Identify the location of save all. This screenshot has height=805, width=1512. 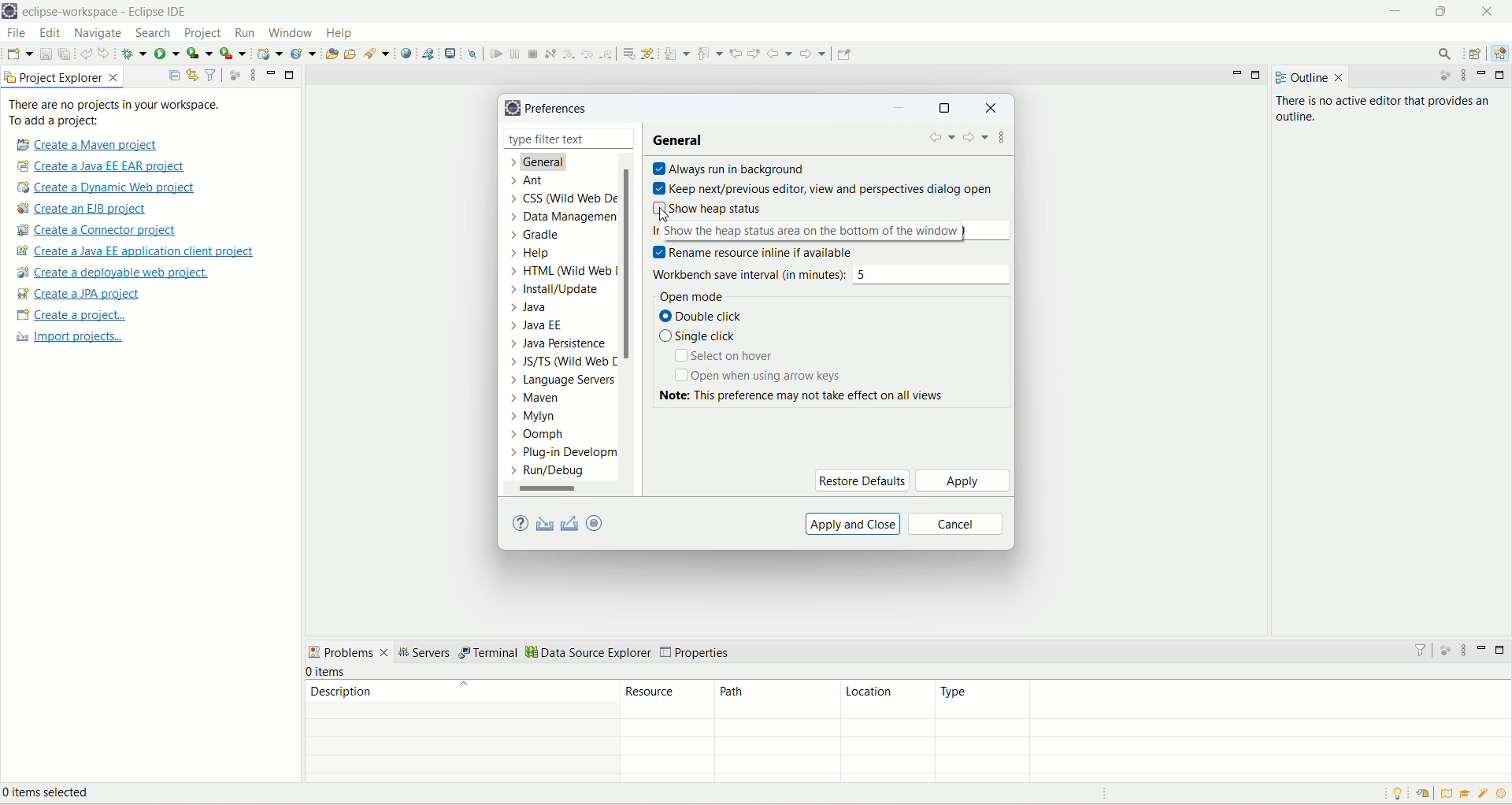
(65, 53).